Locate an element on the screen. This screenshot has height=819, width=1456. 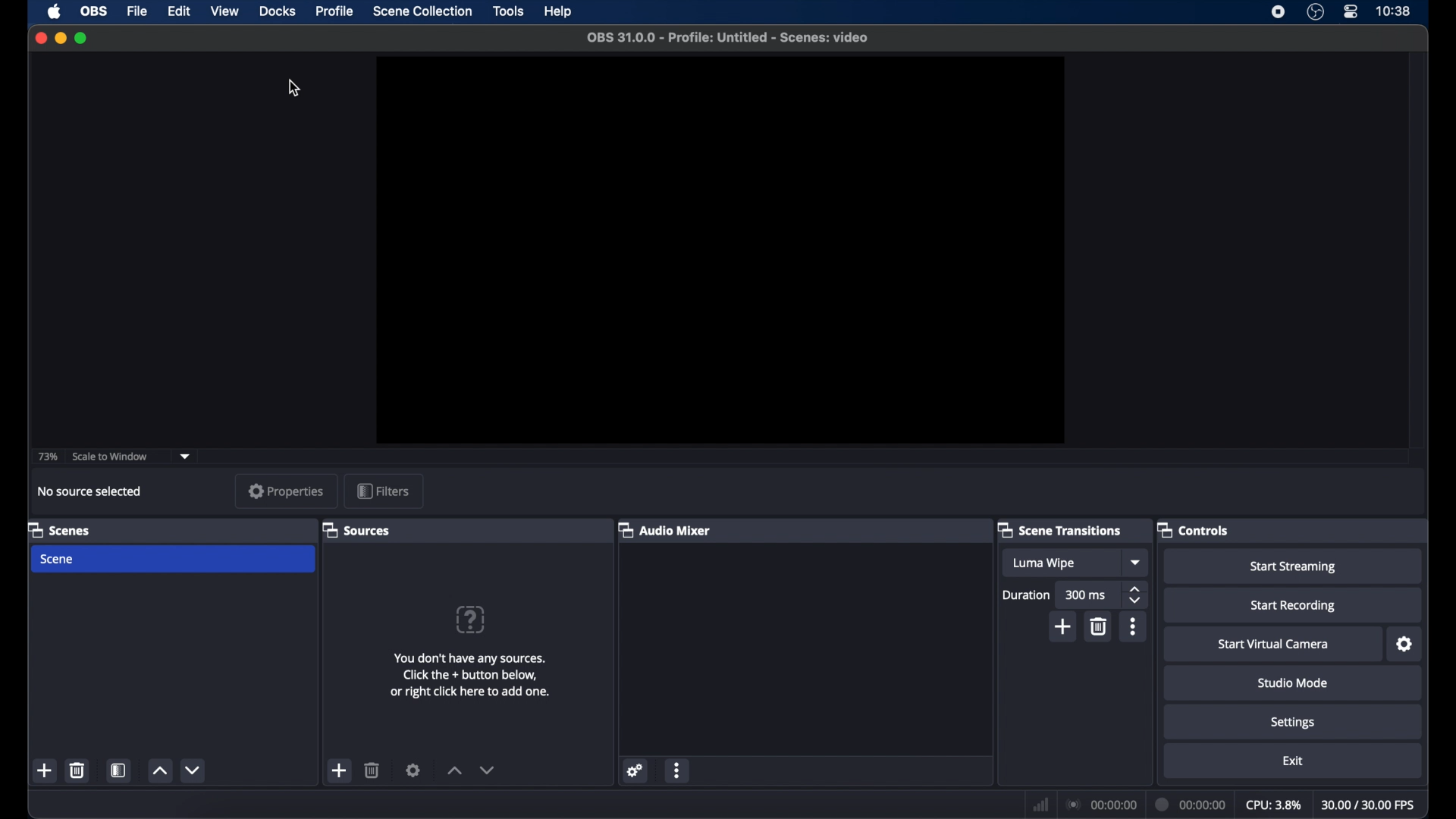
apple icon is located at coordinates (54, 11).